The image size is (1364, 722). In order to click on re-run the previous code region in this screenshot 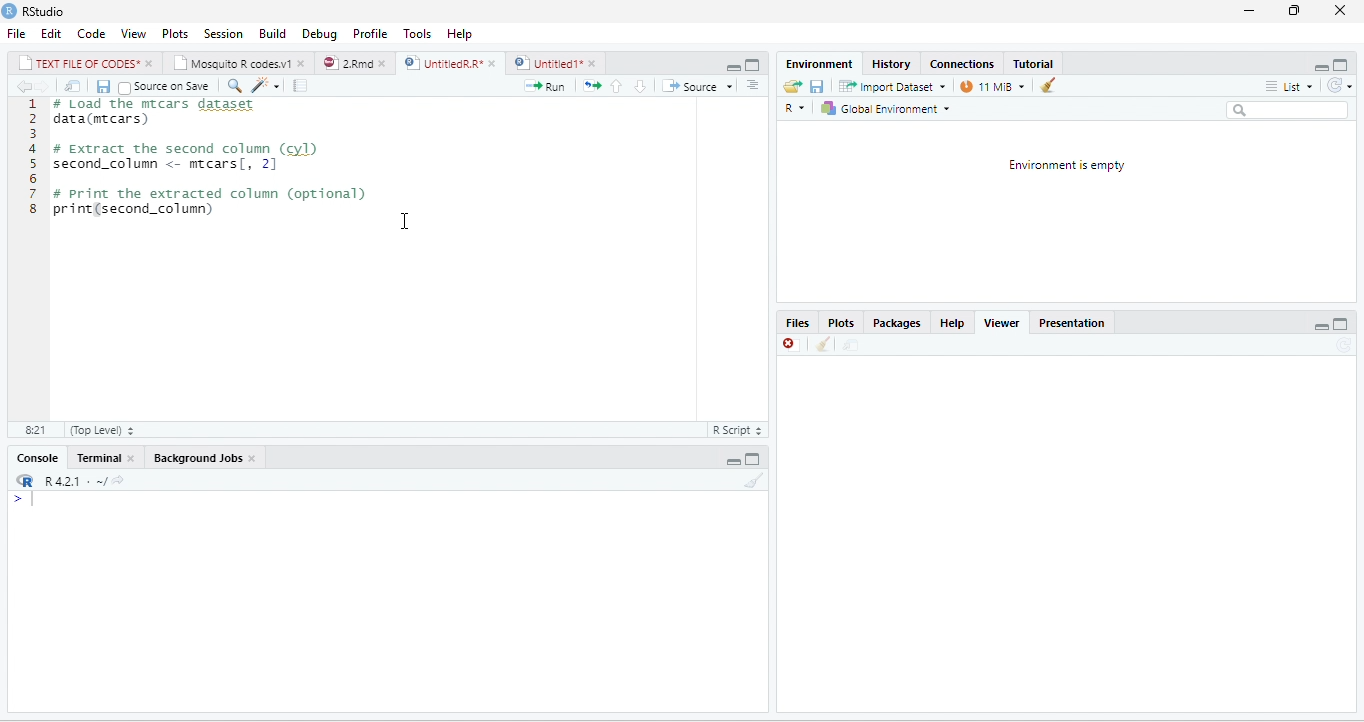, I will do `click(590, 86)`.